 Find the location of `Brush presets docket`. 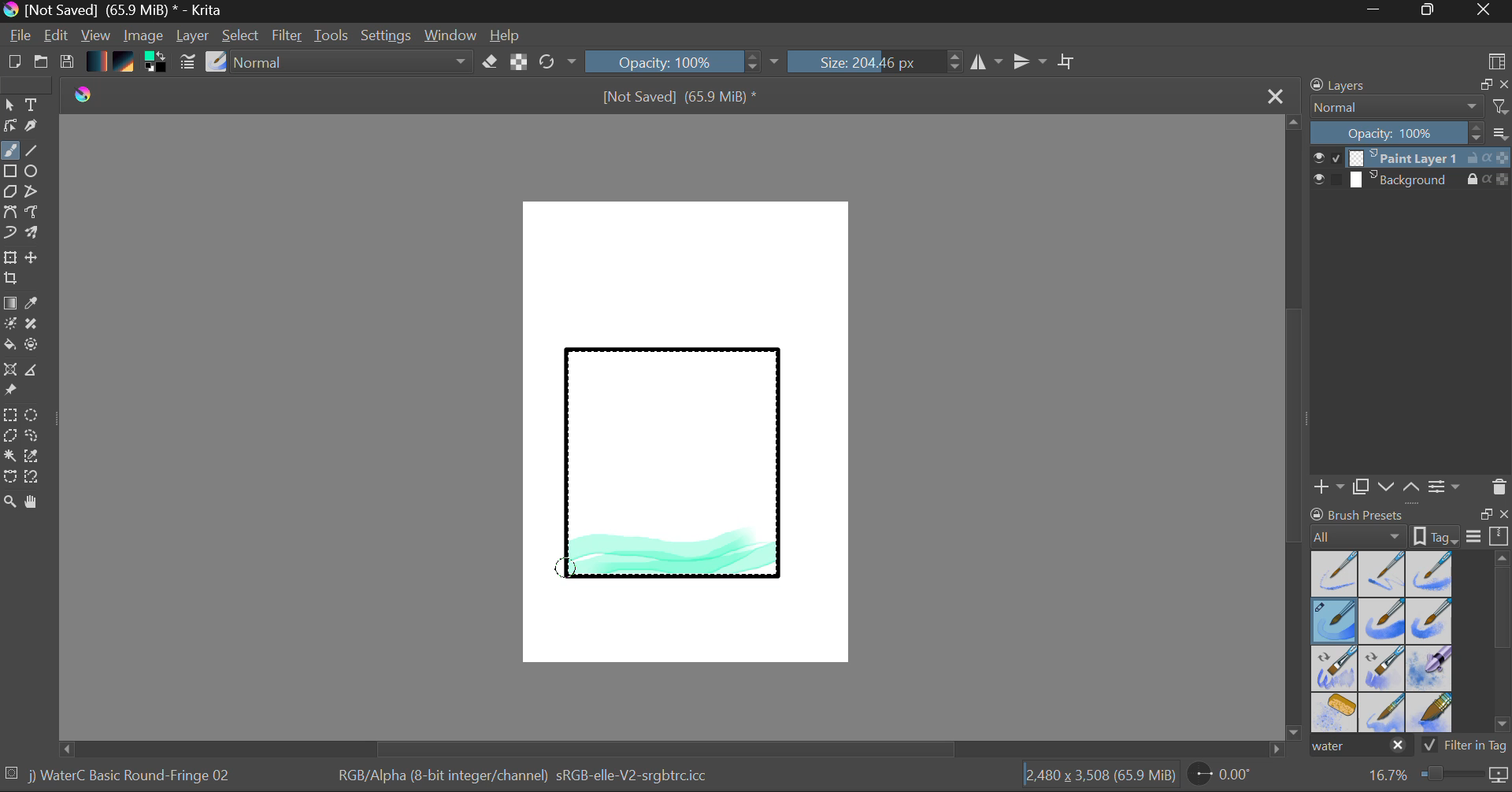

Brush presets docket is located at coordinates (1410, 525).